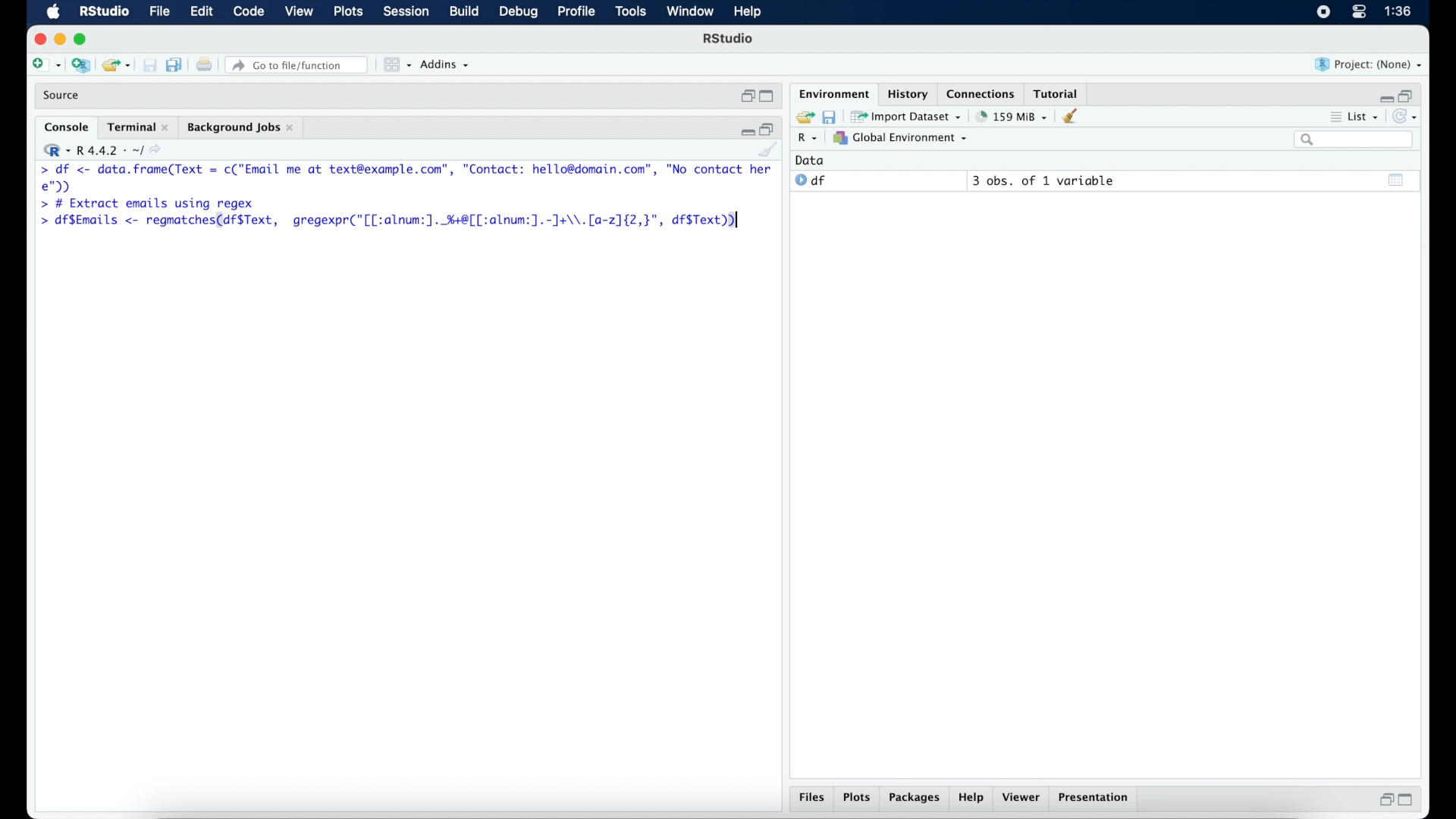  Describe the element at coordinates (629, 12) in the screenshot. I see `tools` at that location.